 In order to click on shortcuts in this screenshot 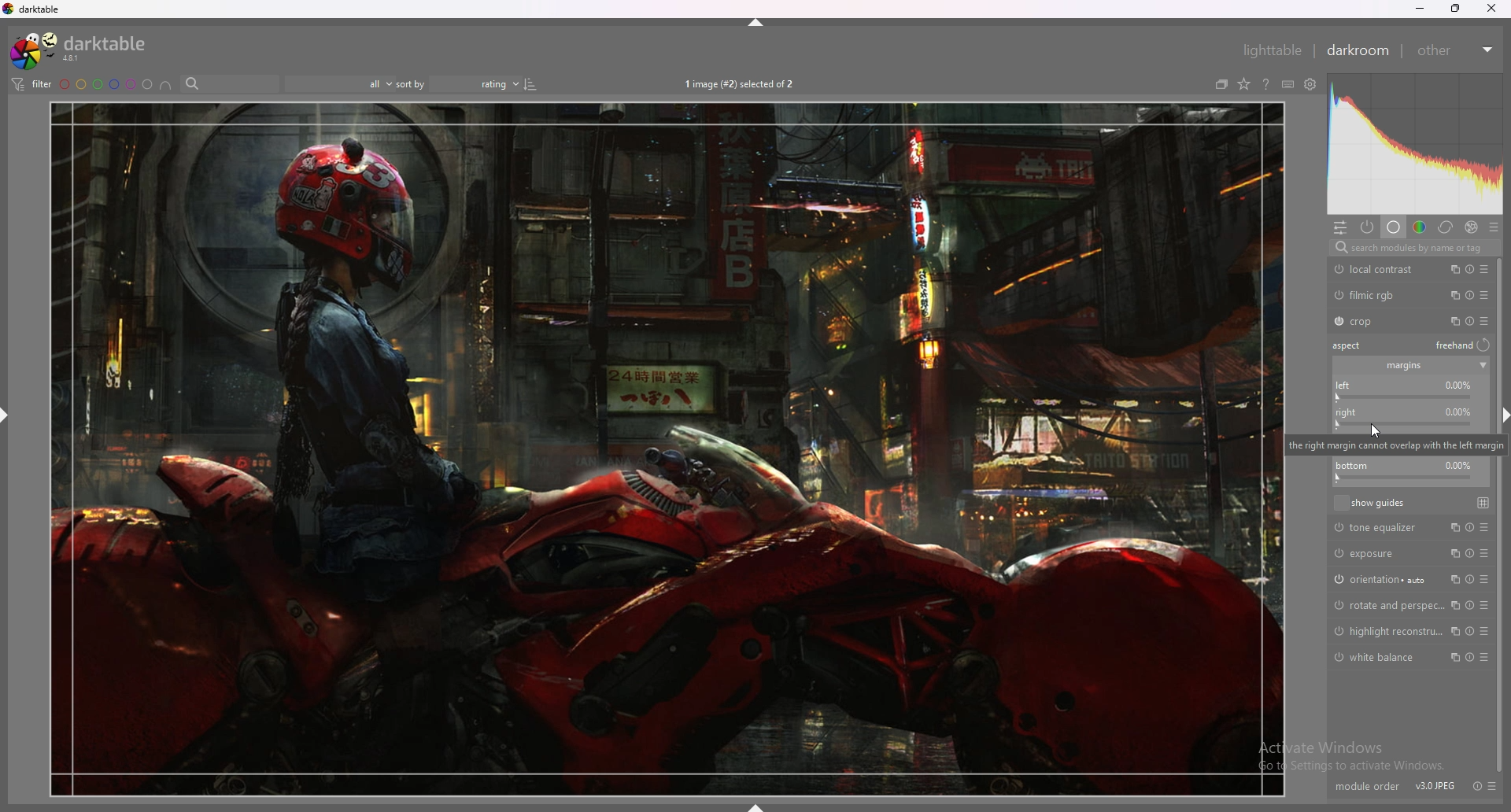, I will do `click(1288, 84)`.